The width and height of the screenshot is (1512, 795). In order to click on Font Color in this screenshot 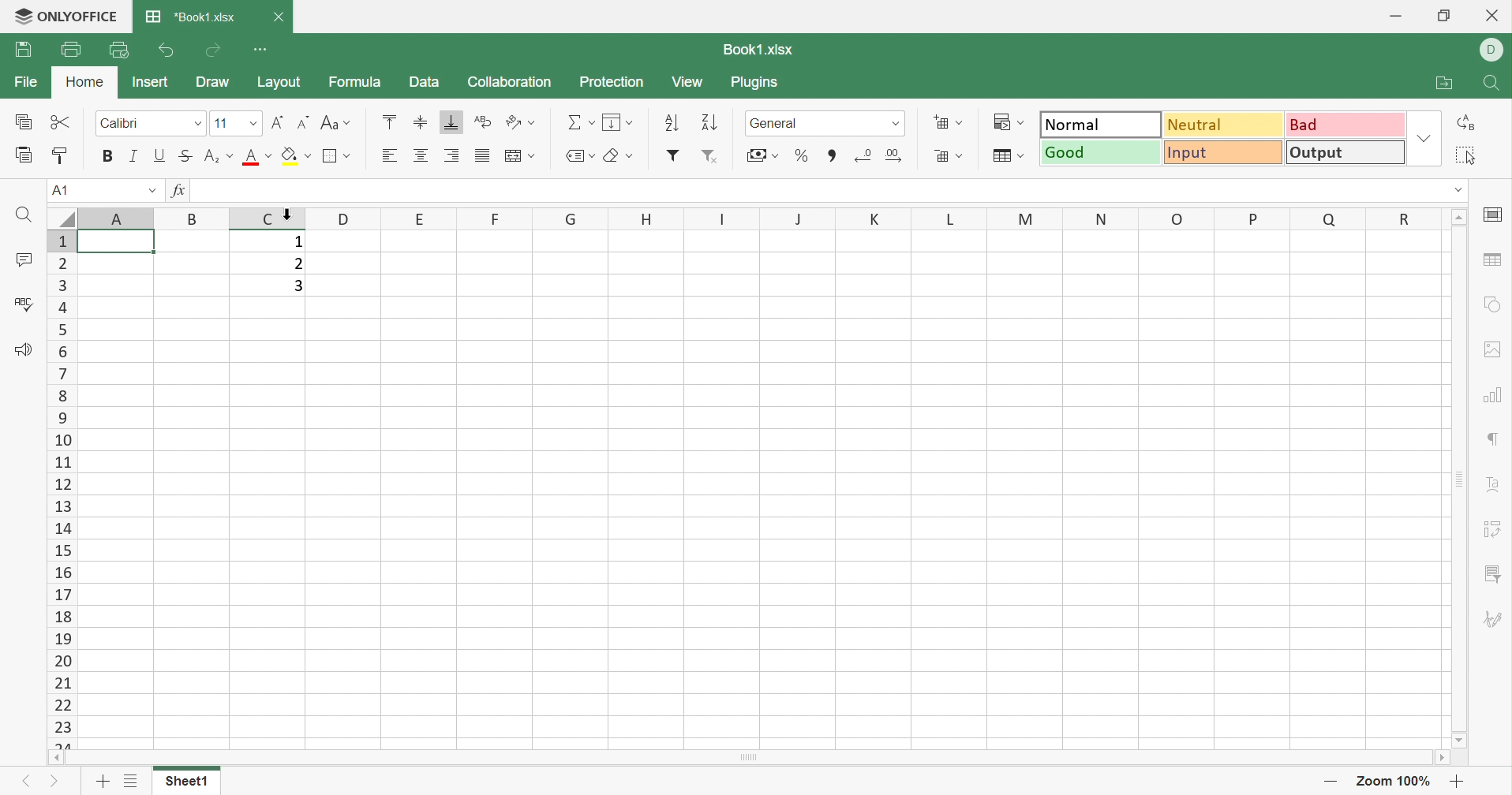, I will do `click(254, 157)`.